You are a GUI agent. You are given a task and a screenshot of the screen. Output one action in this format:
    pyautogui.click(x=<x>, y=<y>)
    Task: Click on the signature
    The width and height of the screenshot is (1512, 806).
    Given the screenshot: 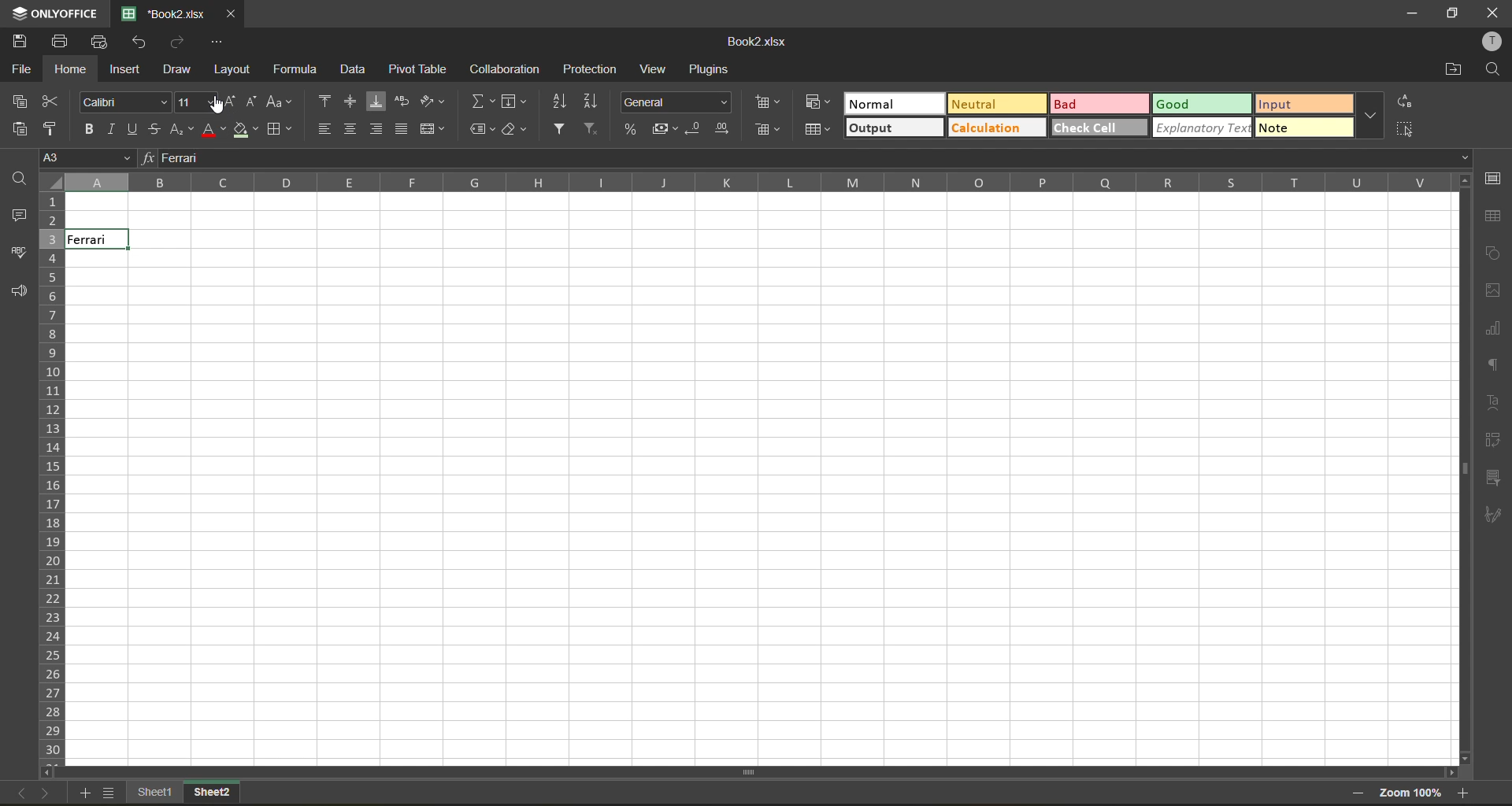 What is the action you would take?
    pyautogui.click(x=1495, y=517)
    